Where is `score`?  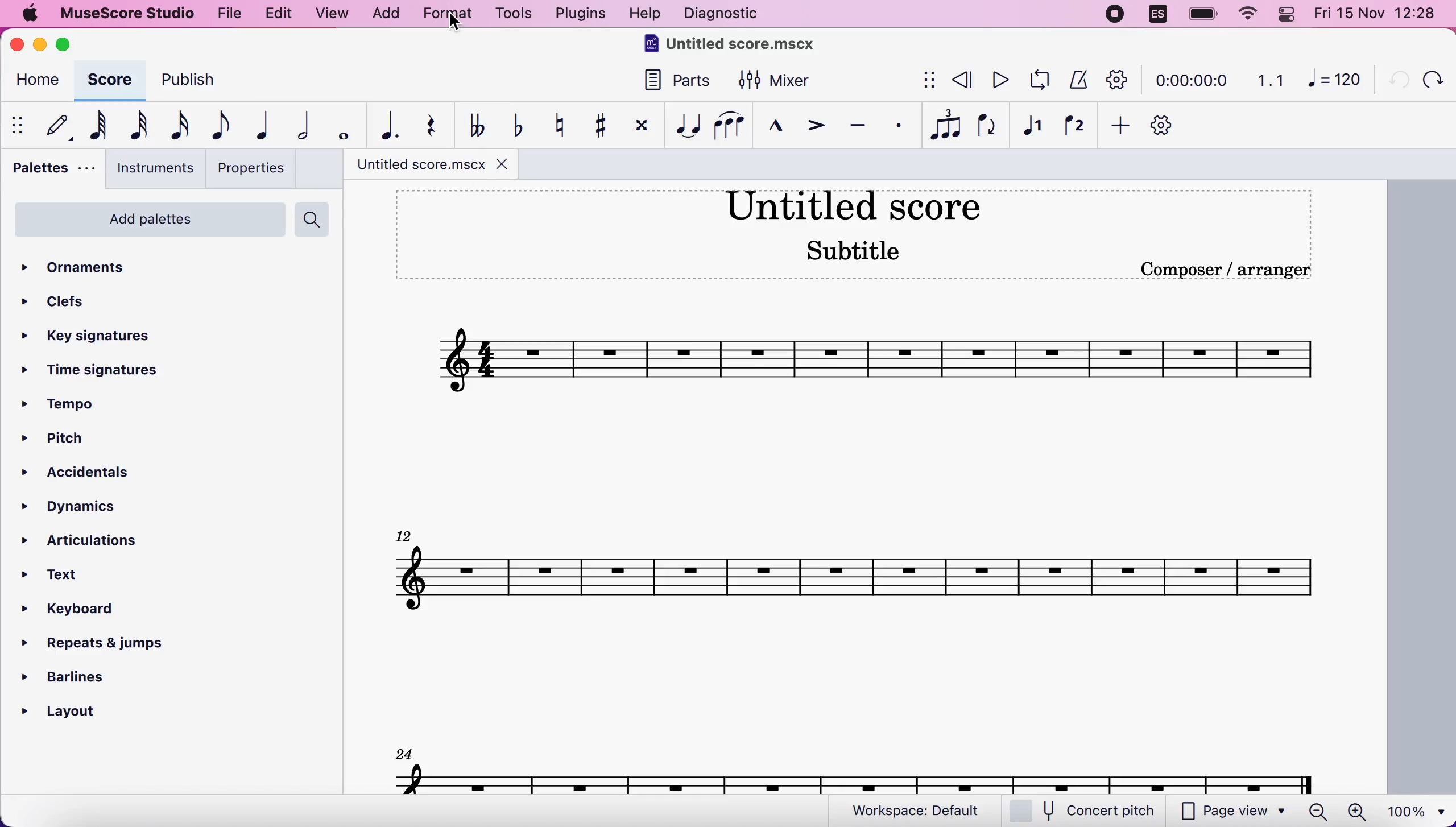
score is located at coordinates (857, 778).